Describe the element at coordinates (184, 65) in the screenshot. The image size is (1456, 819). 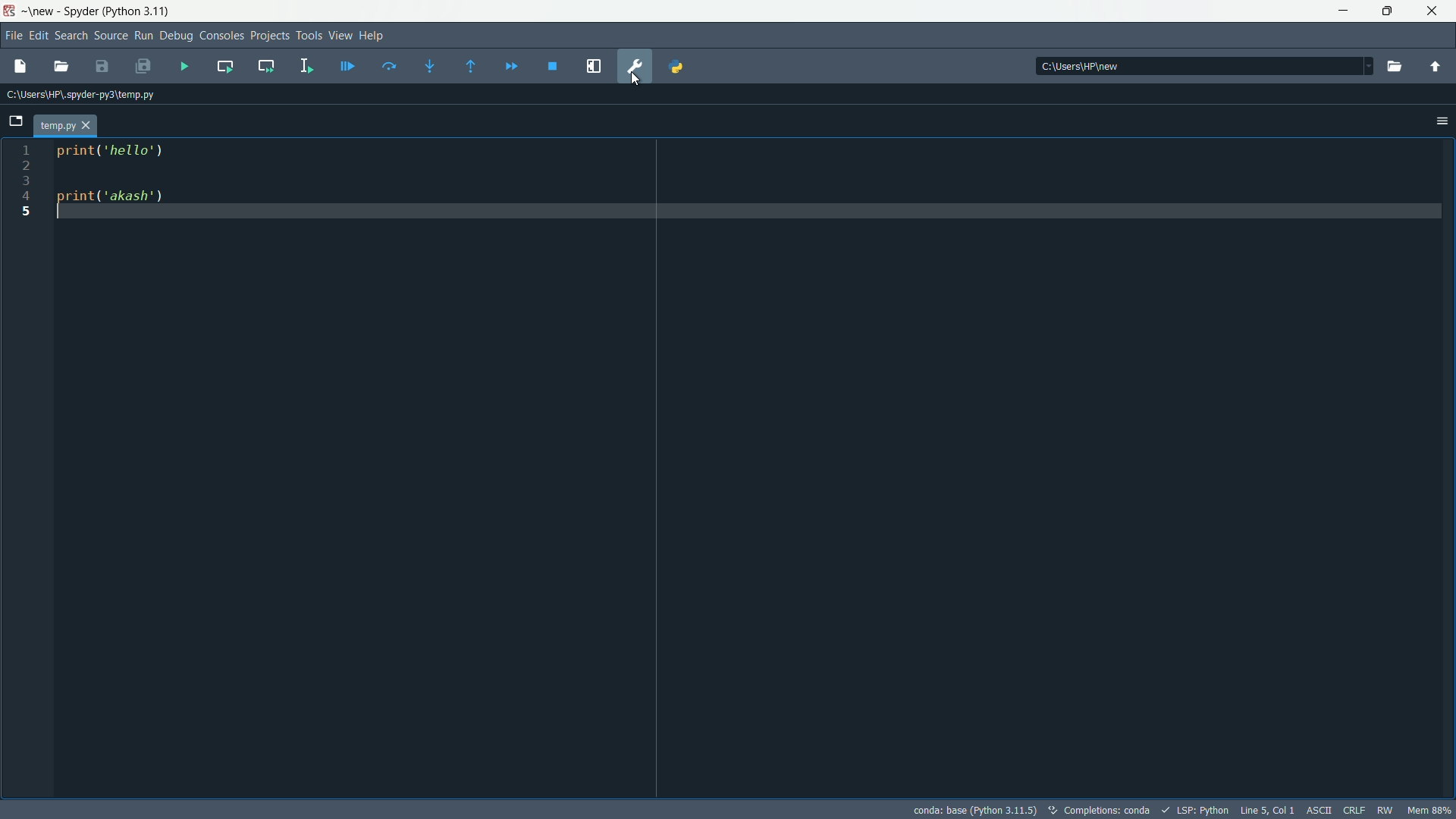
I see `run file` at that location.